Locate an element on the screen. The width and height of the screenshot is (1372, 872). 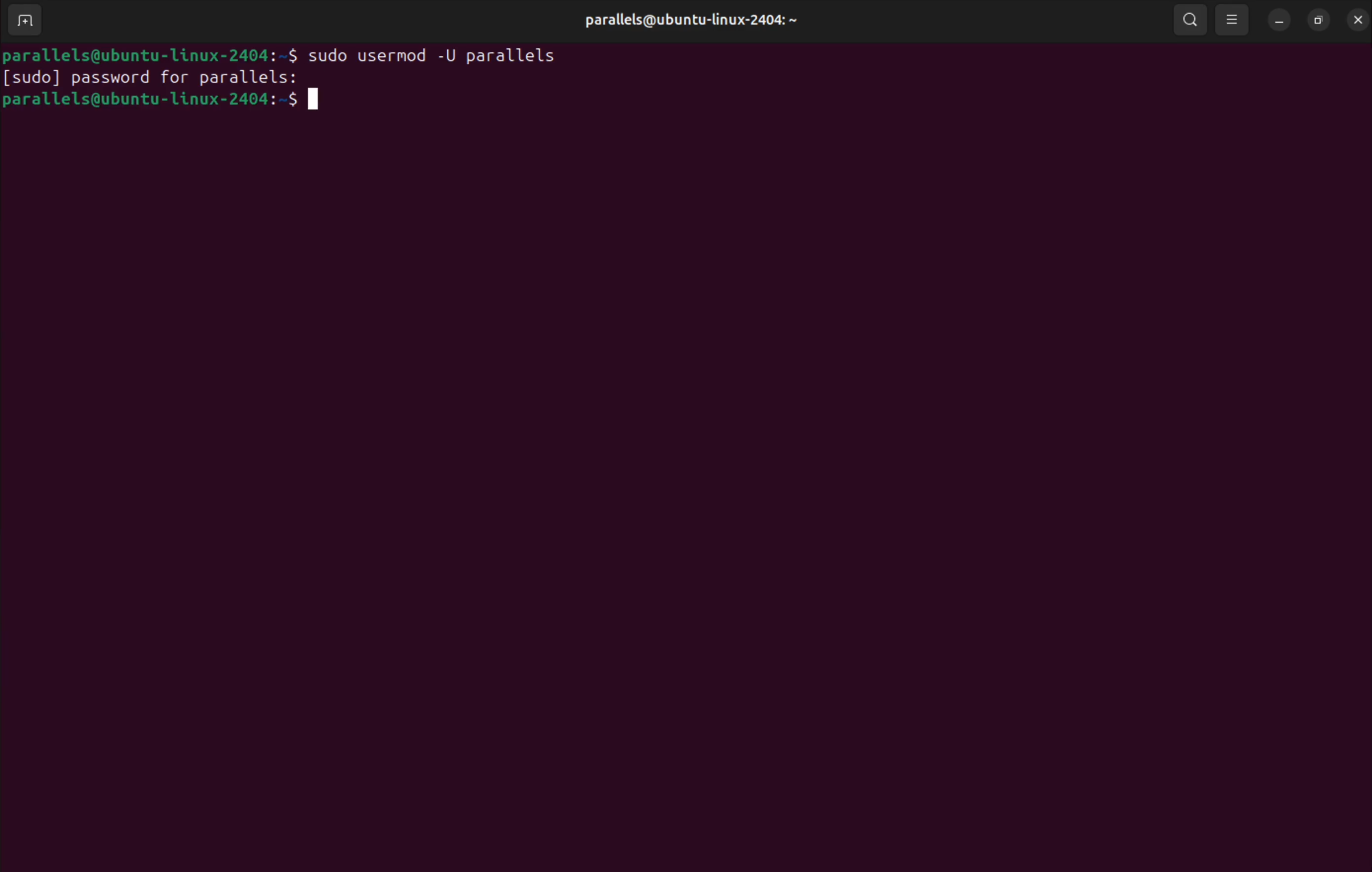
password for parallels is located at coordinates (158, 79).